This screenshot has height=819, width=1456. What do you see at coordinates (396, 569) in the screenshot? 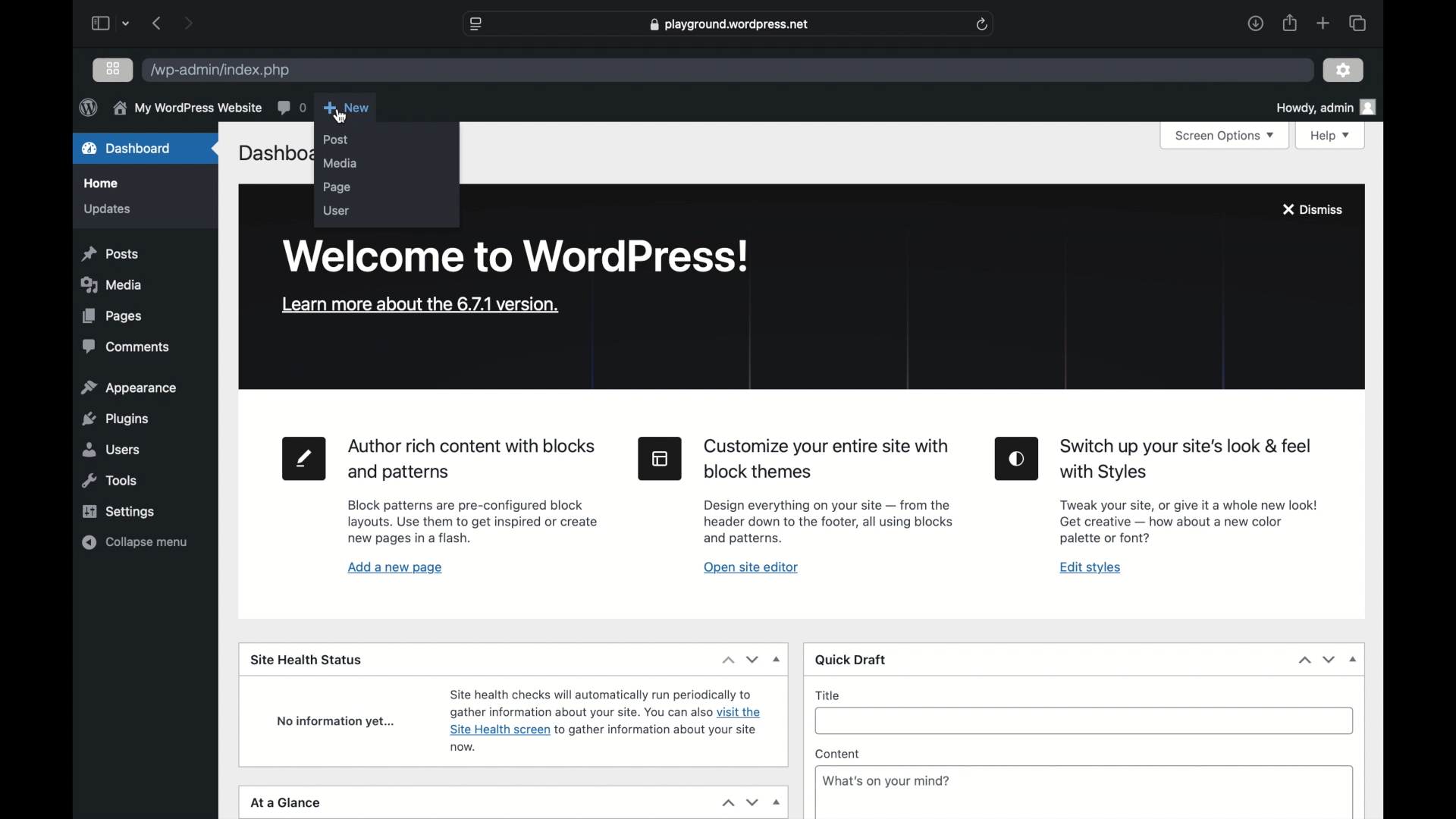
I see `add a new page` at bounding box center [396, 569].